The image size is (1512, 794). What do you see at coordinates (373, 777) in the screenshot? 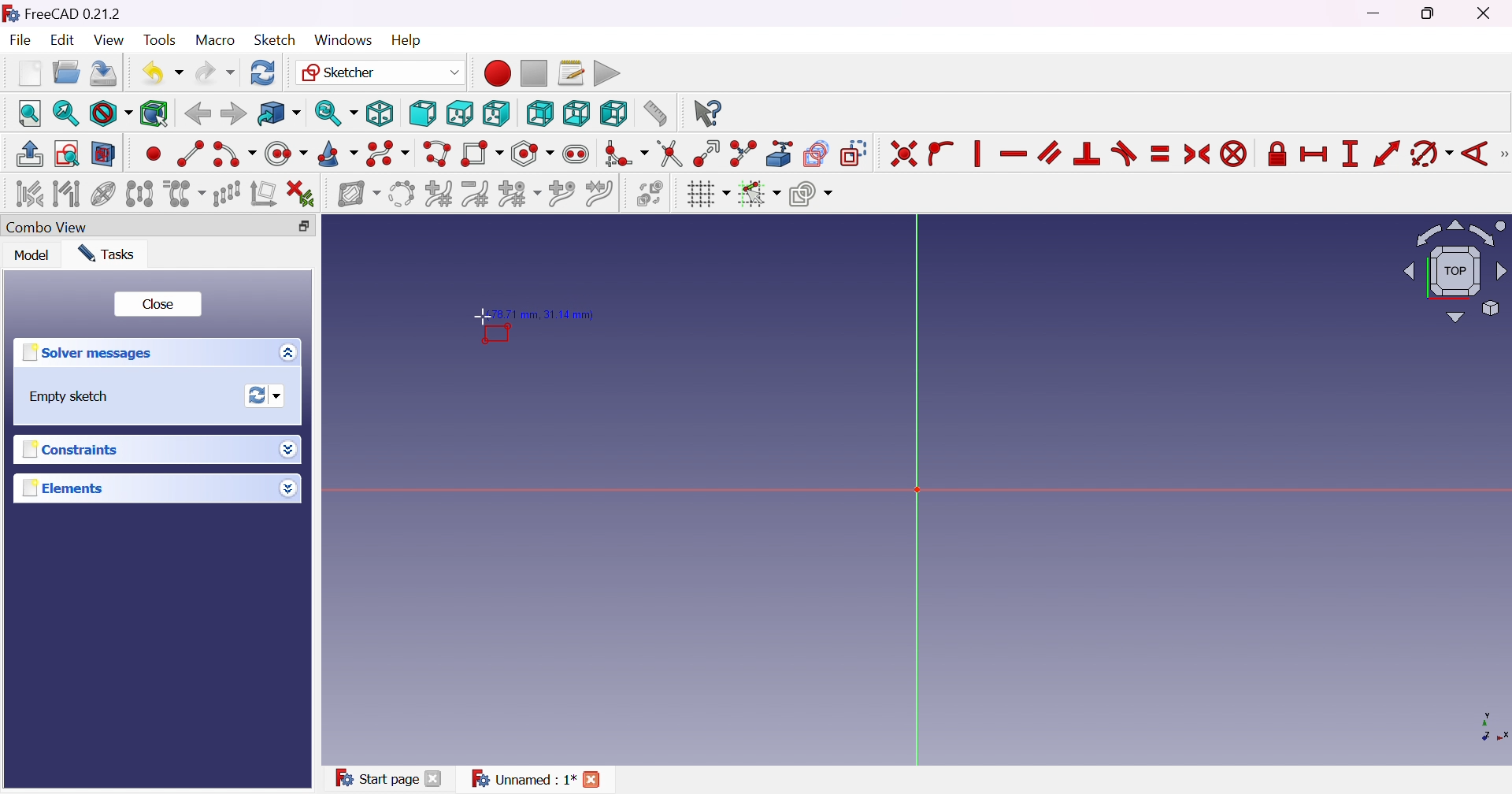
I see `Start page` at bounding box center [373, 777].